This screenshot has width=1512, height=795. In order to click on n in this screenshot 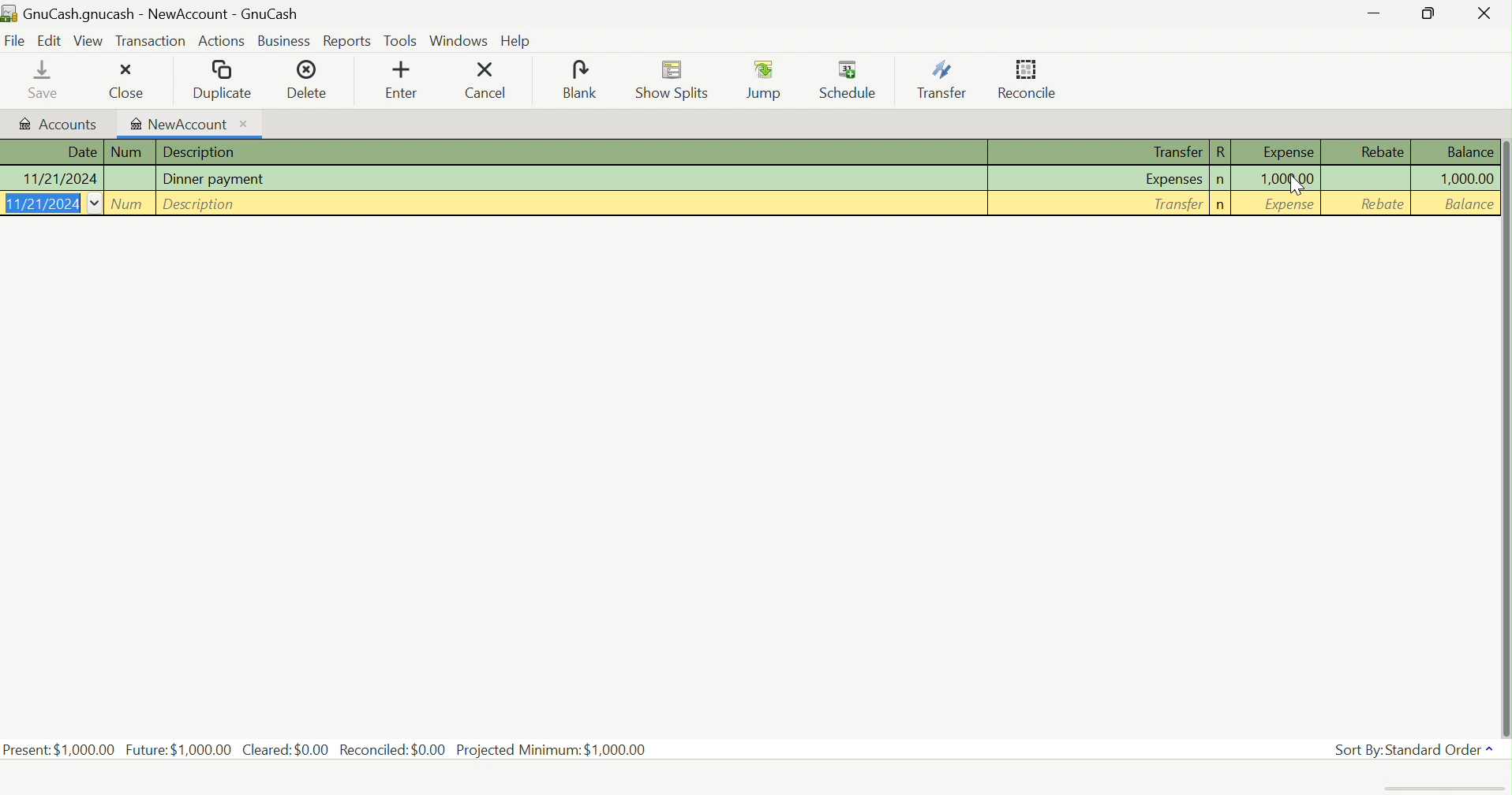, I will do `click(1221, 180)`.